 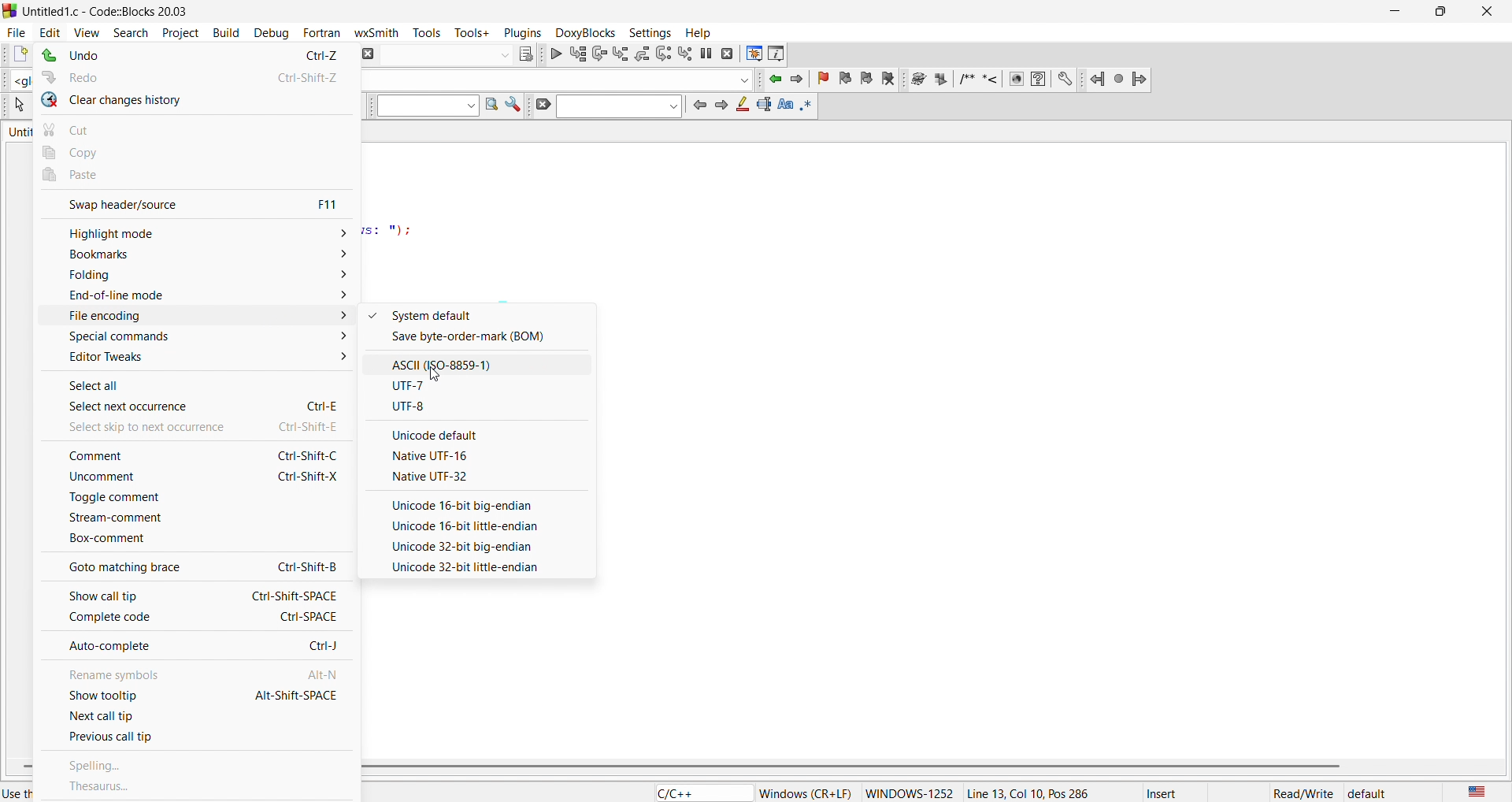 I want to click on option, so click(x=484, y=499).